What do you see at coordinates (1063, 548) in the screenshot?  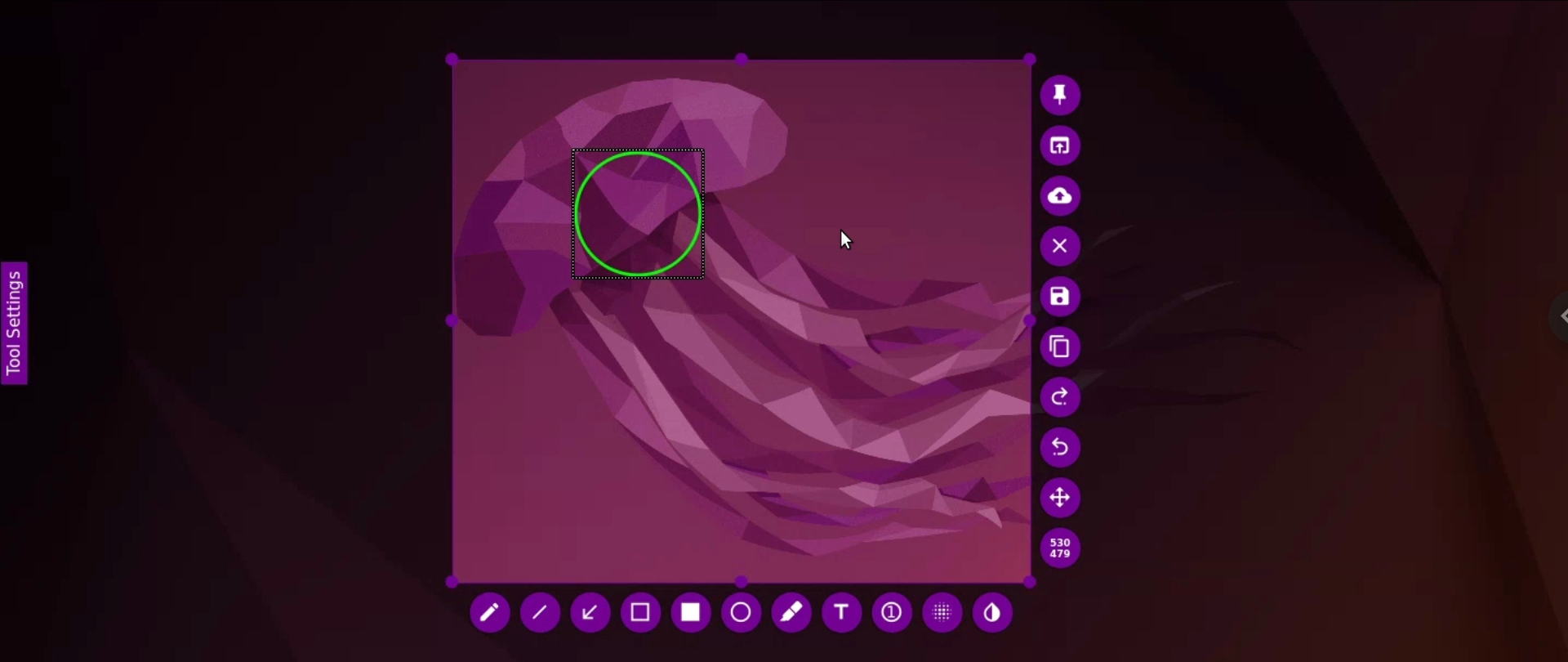 I see `dimensions` at bounding box center [1063, 548].